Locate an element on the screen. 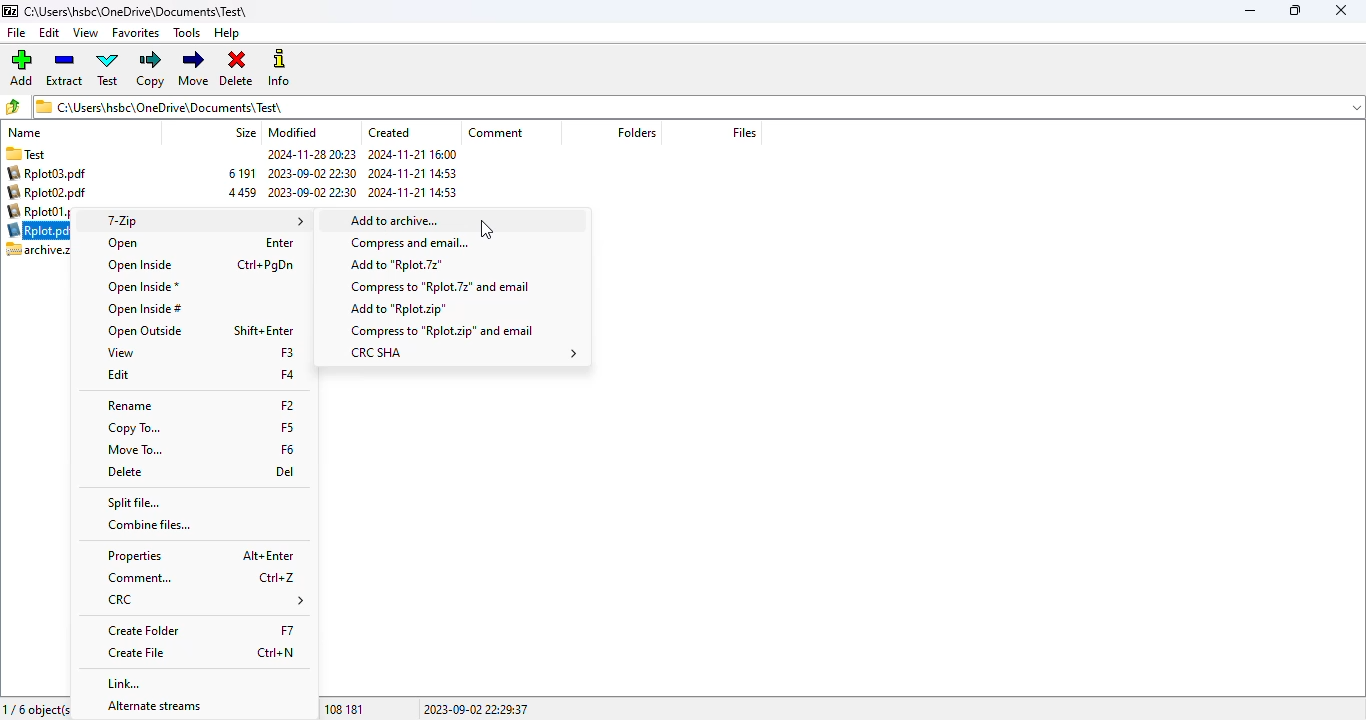  shortcut for comment is located at coordinates (277, 578).